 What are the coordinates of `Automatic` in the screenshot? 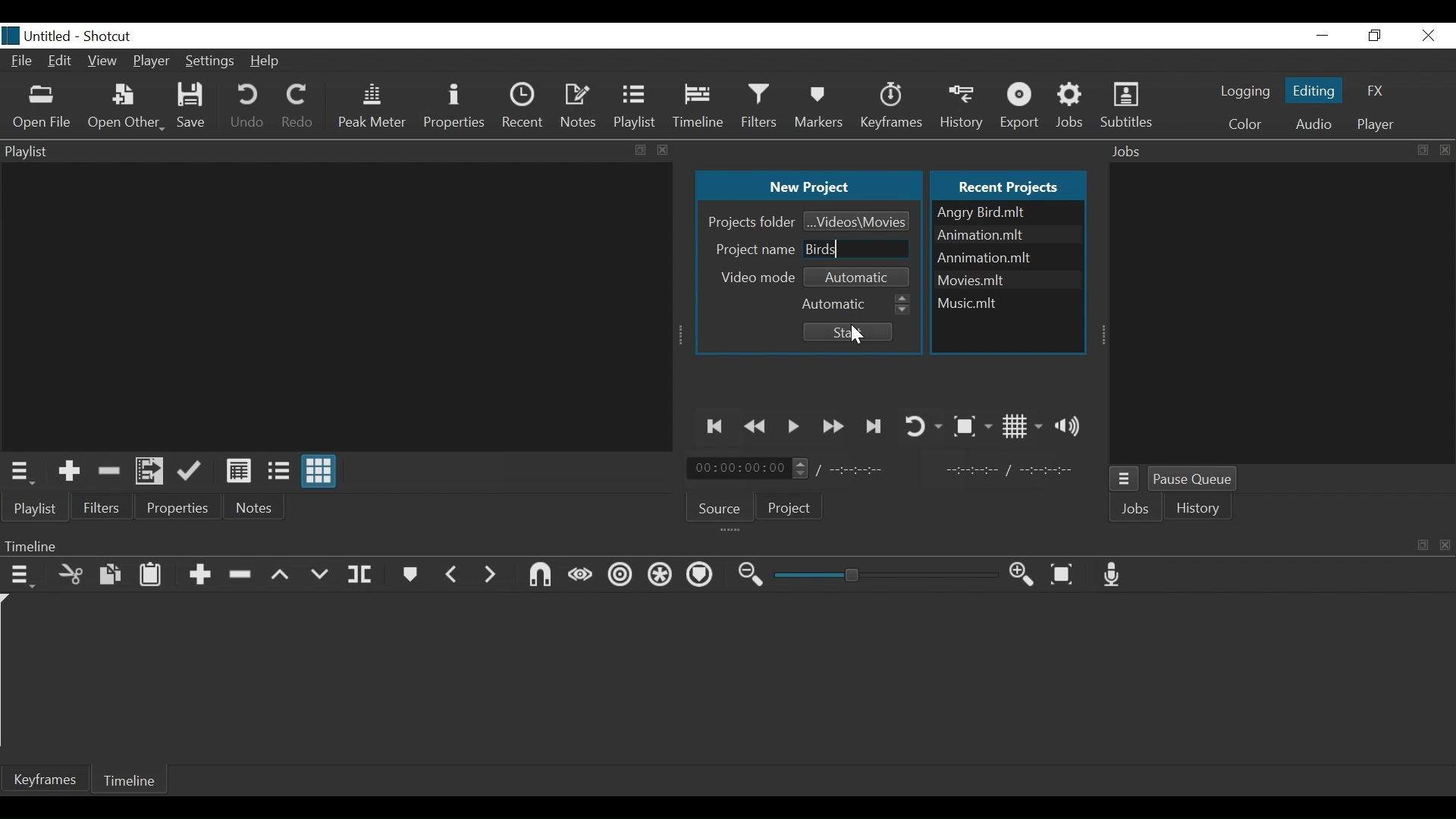 It's located at (856, 302).